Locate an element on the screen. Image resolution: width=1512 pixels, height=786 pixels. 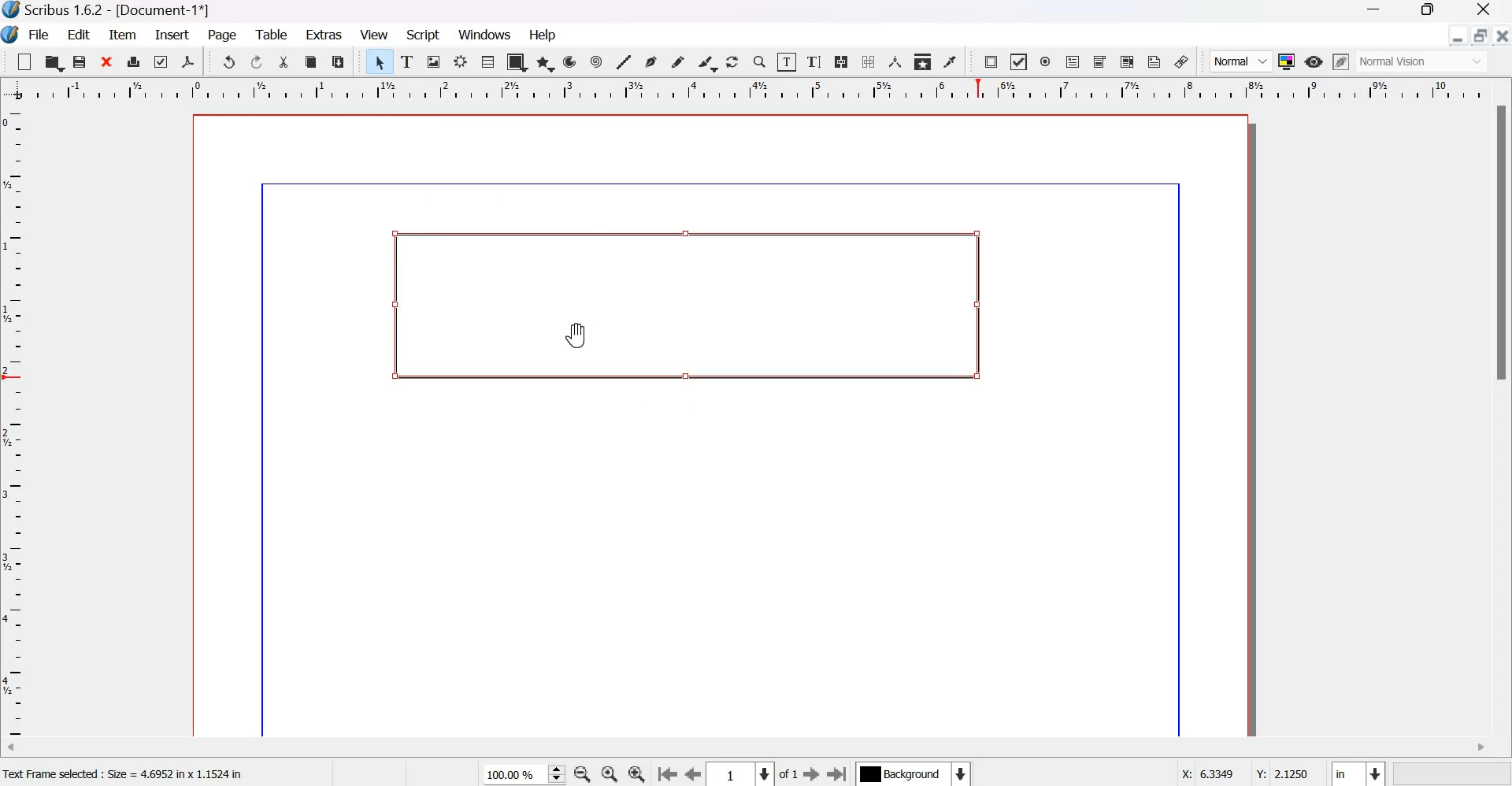
select item is located at coordinates (380, 61).